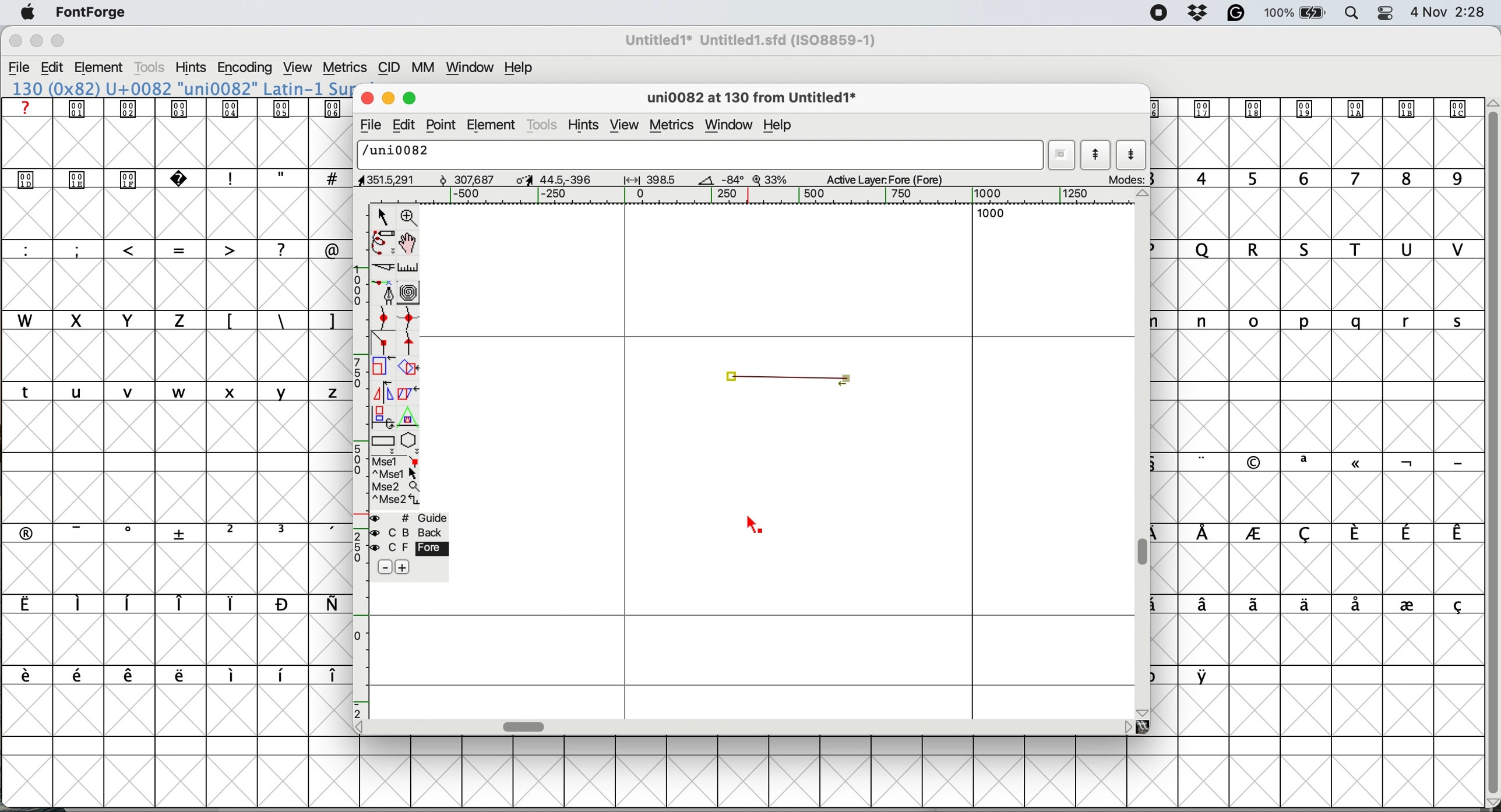 This screenshot has width=1501, height=812. Describe the element at coordinates (172, 604) in the screenshot. I see `symbols` at that location.